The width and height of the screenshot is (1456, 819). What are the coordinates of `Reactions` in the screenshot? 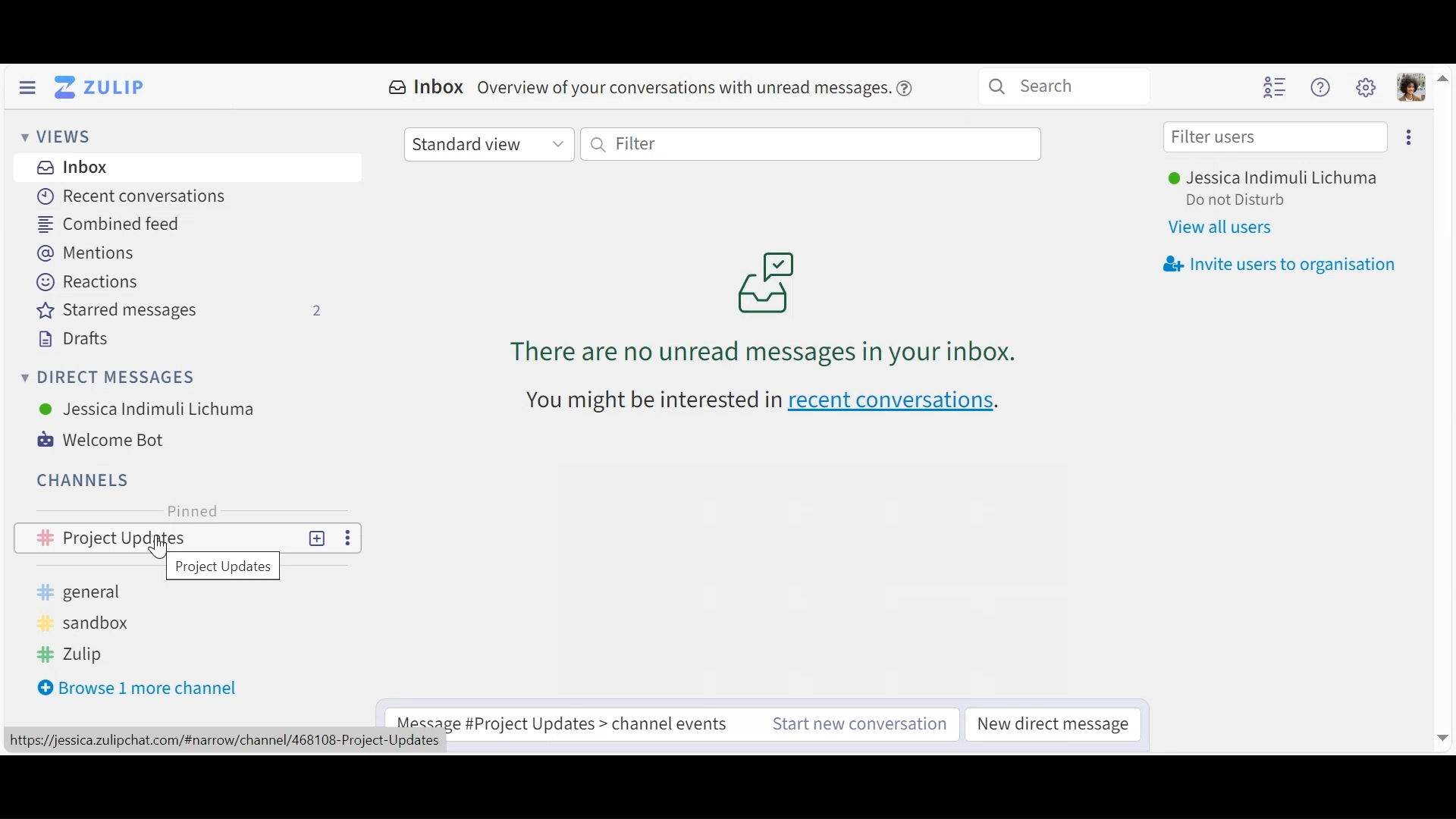 It's located at (88, 281).